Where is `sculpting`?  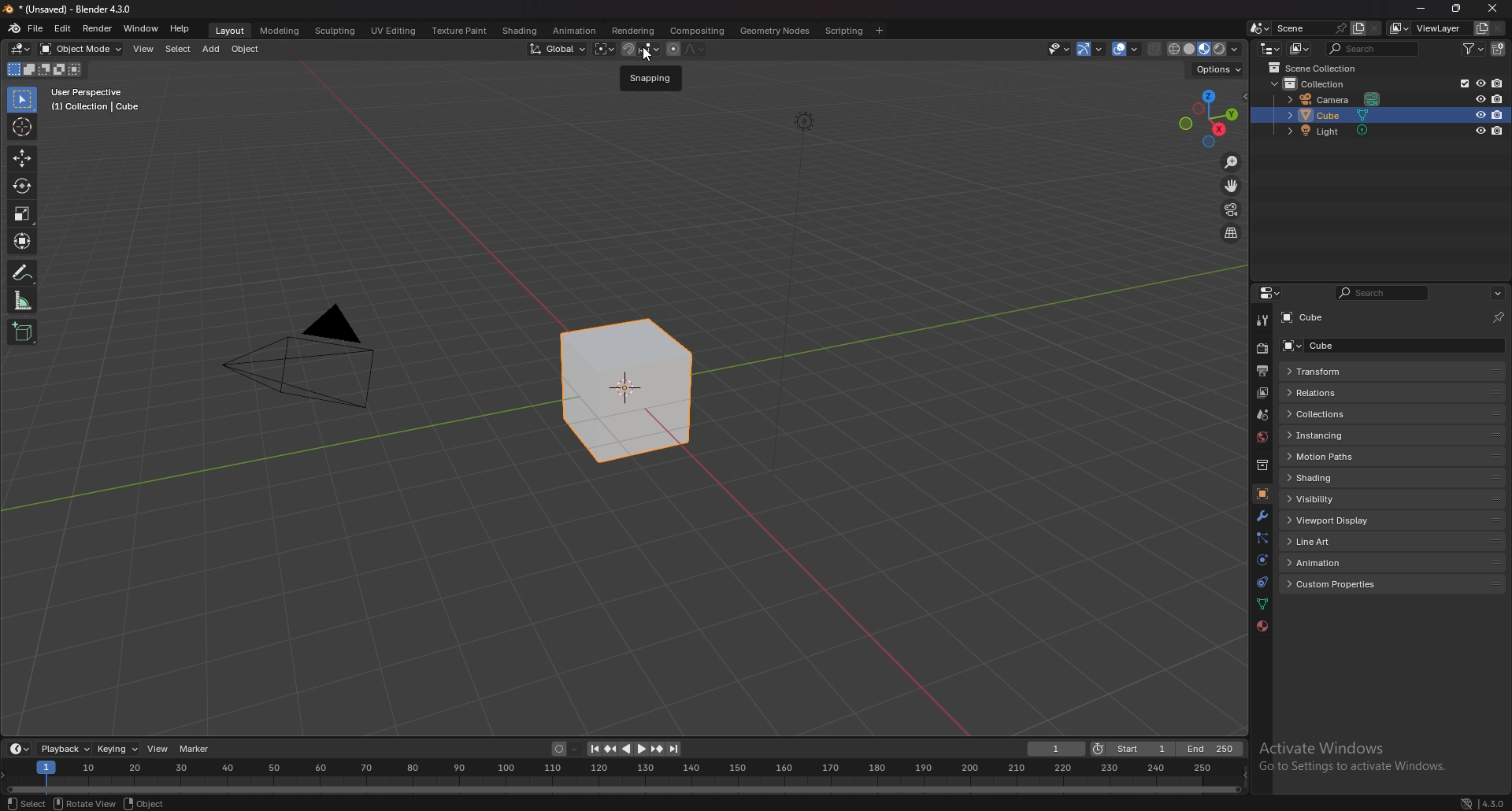 sculpting is located at coordinates (335, 30).